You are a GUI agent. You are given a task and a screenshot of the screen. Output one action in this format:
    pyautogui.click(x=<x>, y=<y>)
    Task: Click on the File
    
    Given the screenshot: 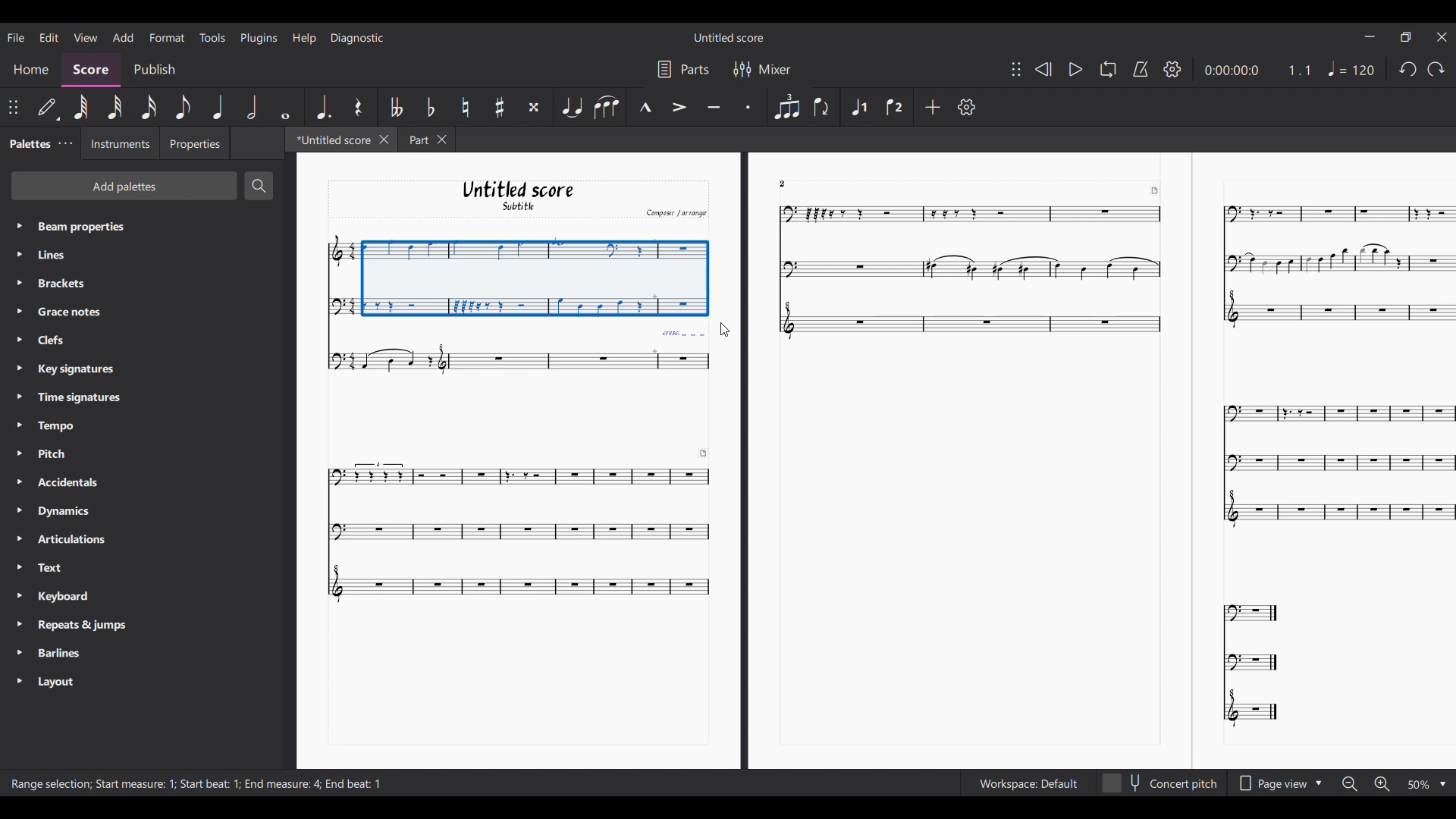 What is the action you would take?
    pyautogui.click(x=16, y=36)
    